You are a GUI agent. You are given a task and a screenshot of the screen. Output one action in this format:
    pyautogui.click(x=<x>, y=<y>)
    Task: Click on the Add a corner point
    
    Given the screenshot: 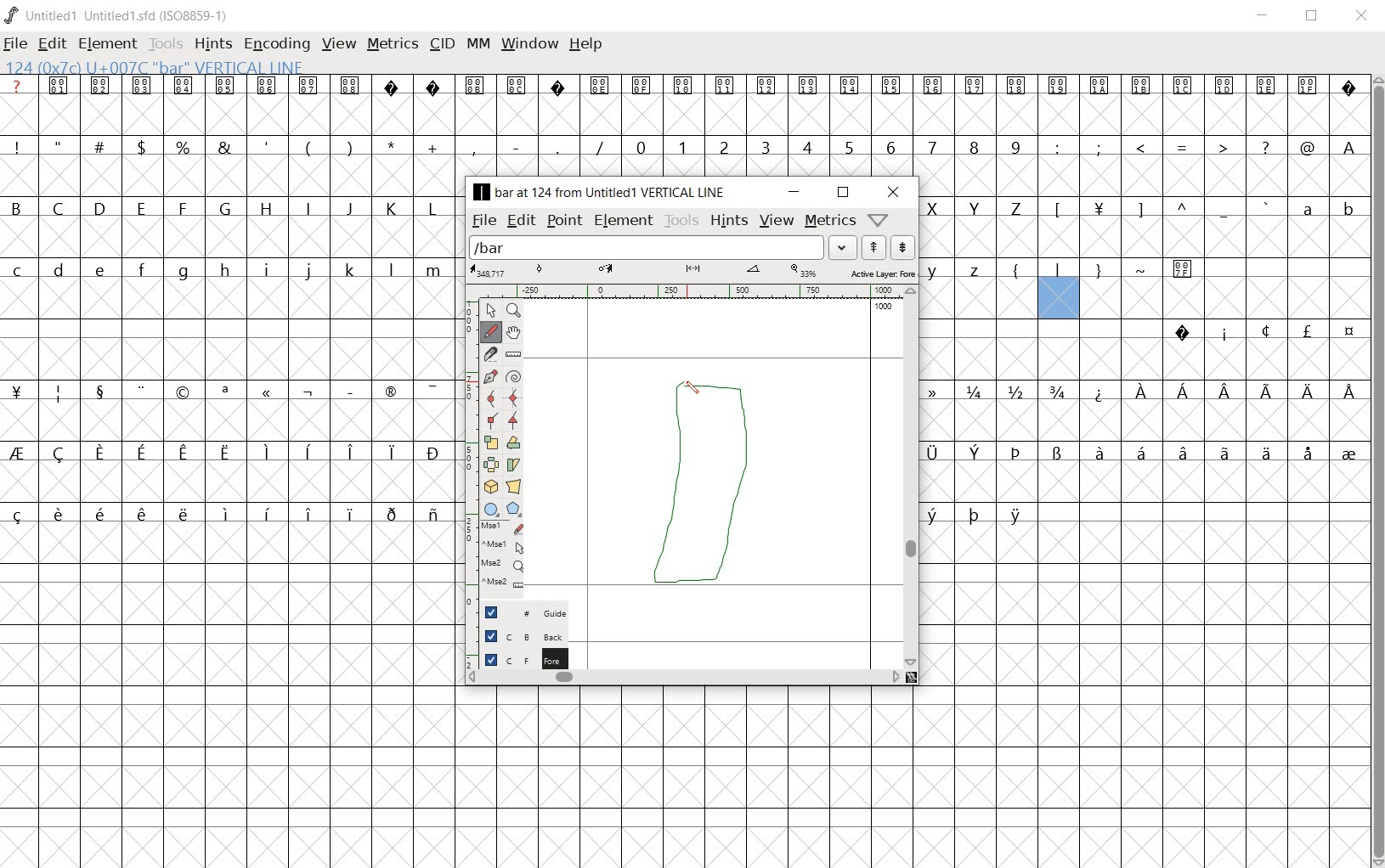 What is the action you would take?
    pyautogui.click(x=493, y=420)
    